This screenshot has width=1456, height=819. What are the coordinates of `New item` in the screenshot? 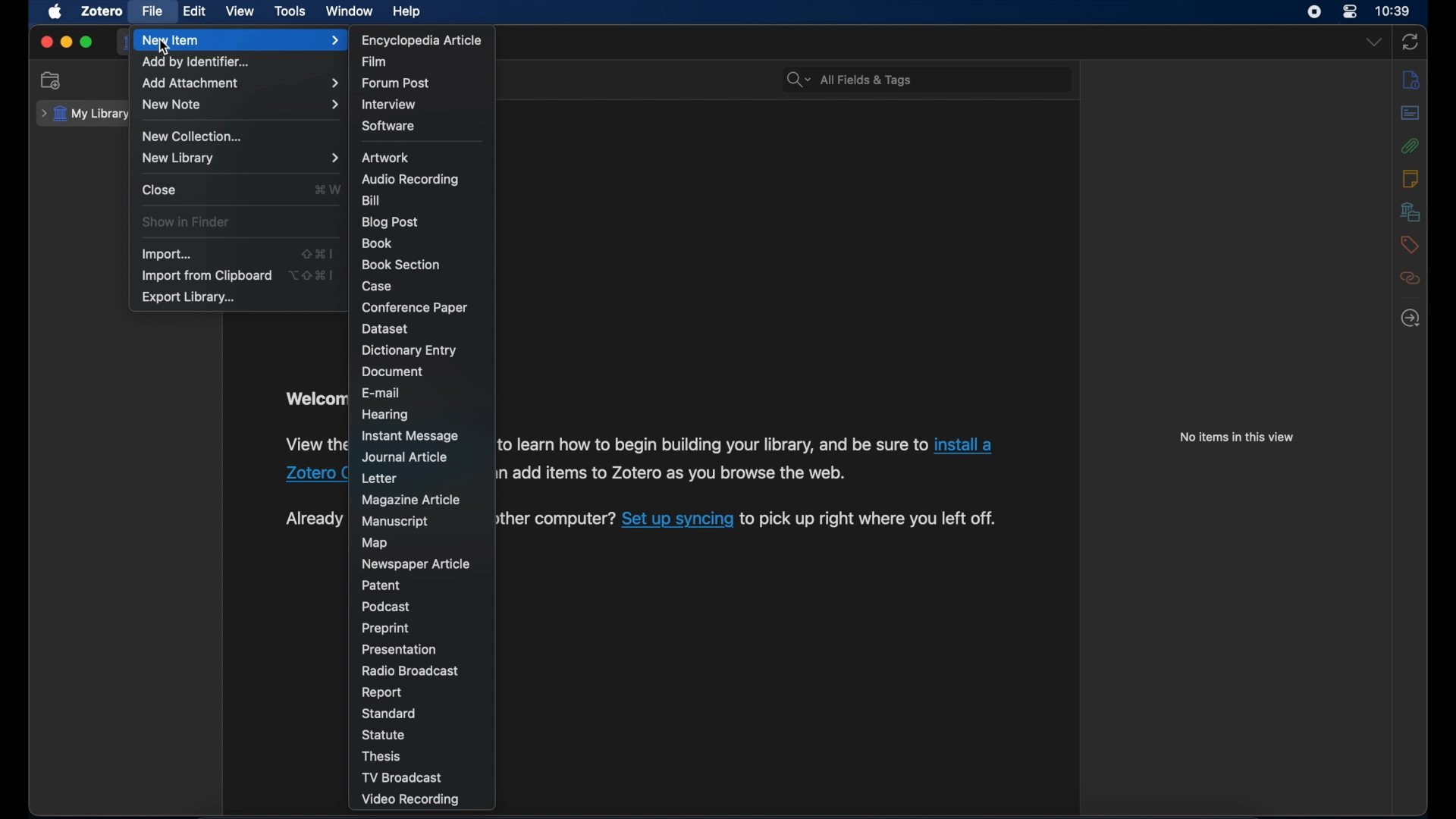 It's located at (240, 40).